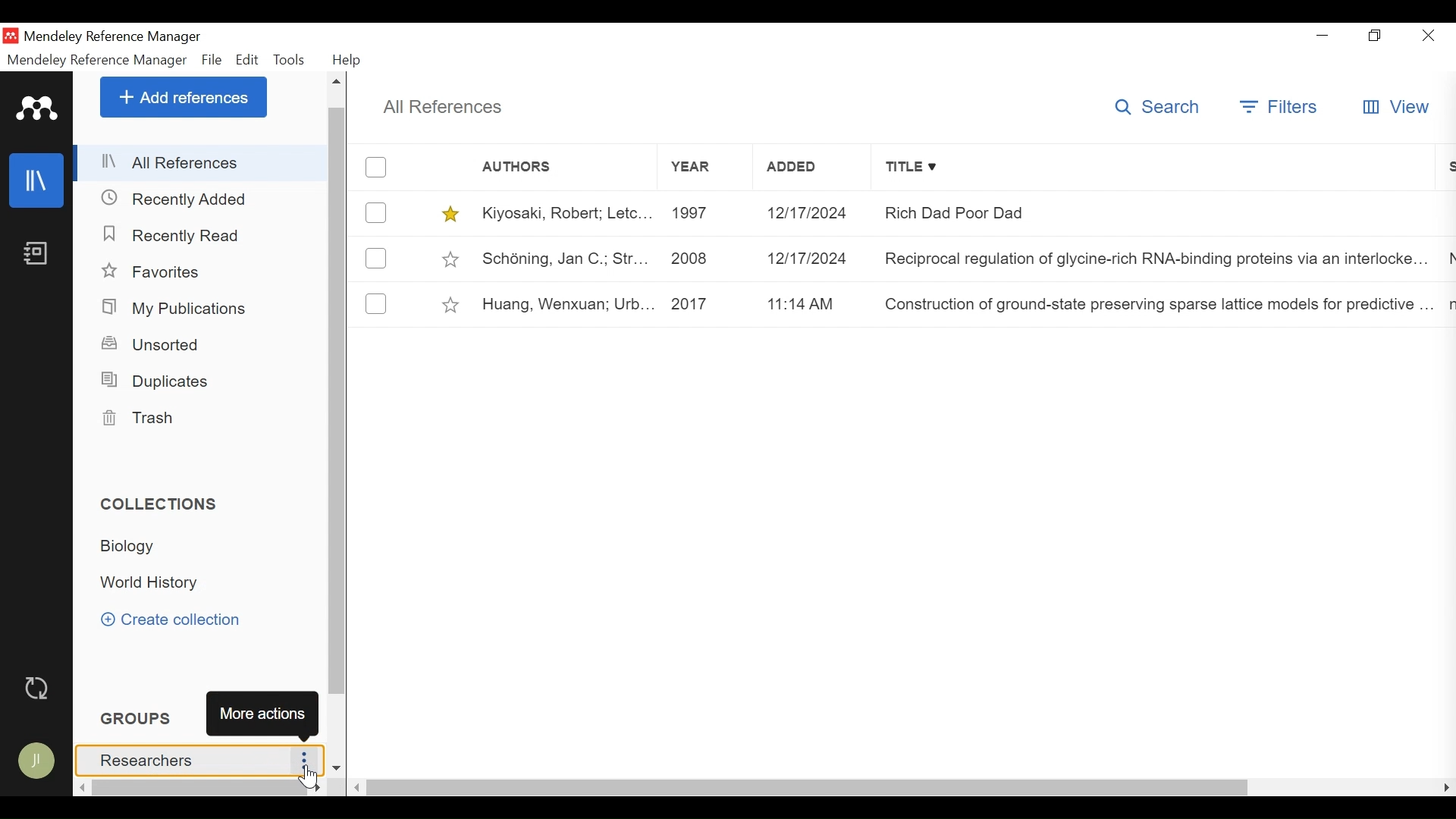 The image size is (1456, 819). Describe the element at coordinates (566, 303) in the screenshot. I see `Huang, Wenxuan; Urb...` at that location.